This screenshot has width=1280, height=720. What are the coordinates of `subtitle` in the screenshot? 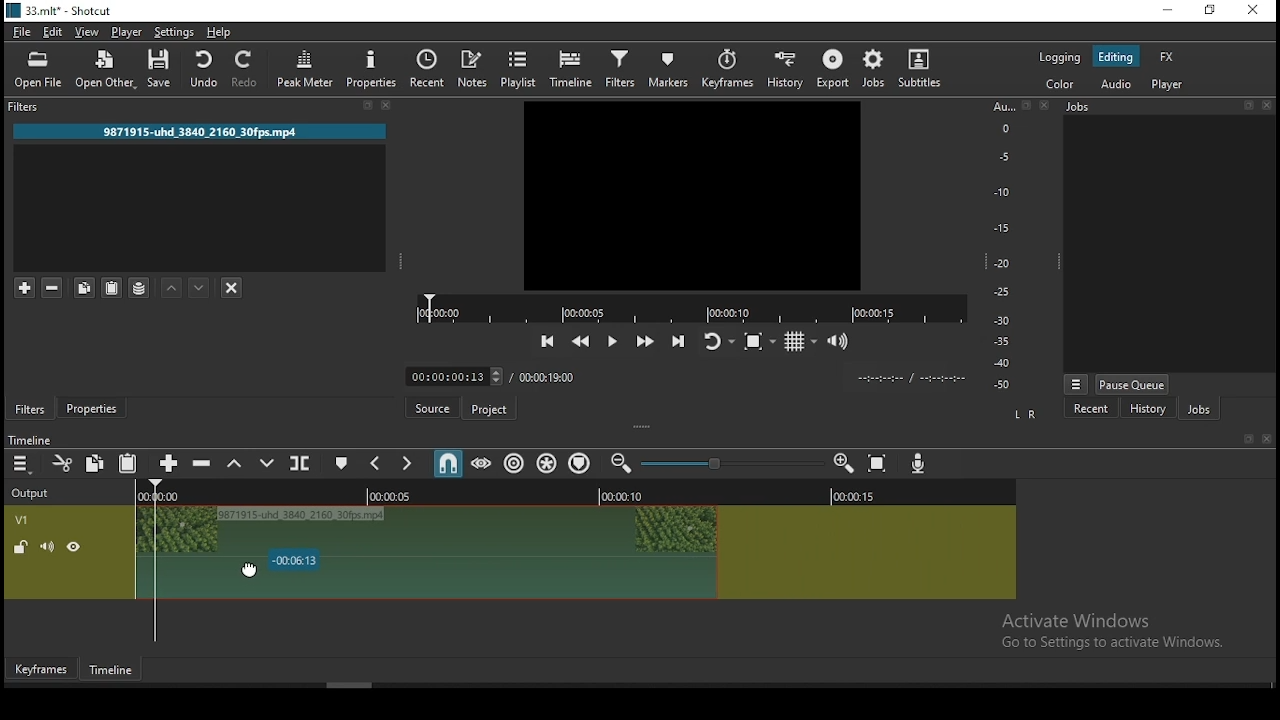 It's located at (923, 68).